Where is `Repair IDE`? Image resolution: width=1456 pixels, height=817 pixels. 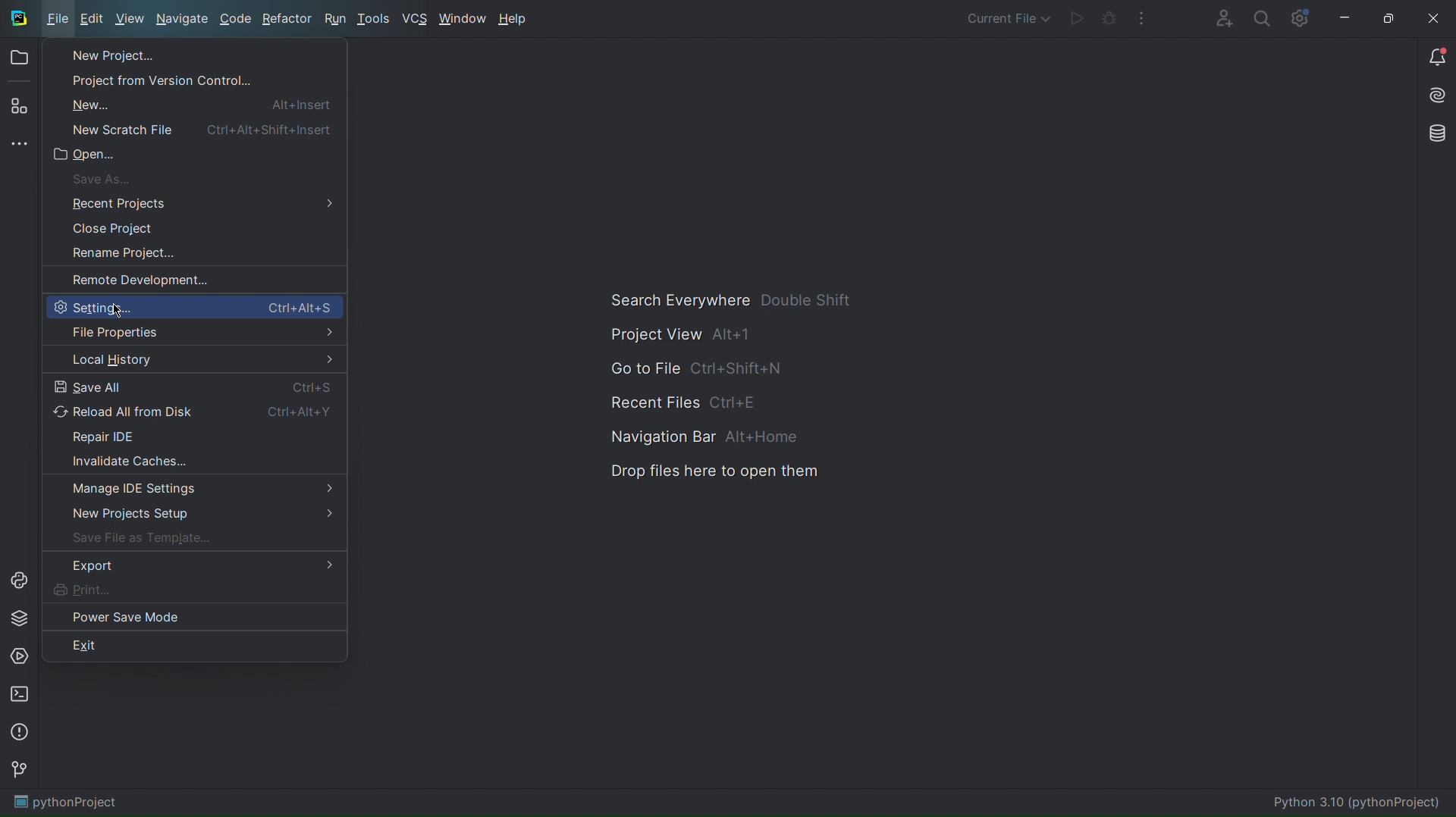
Repair IDE is located at coordinates (193, 438).